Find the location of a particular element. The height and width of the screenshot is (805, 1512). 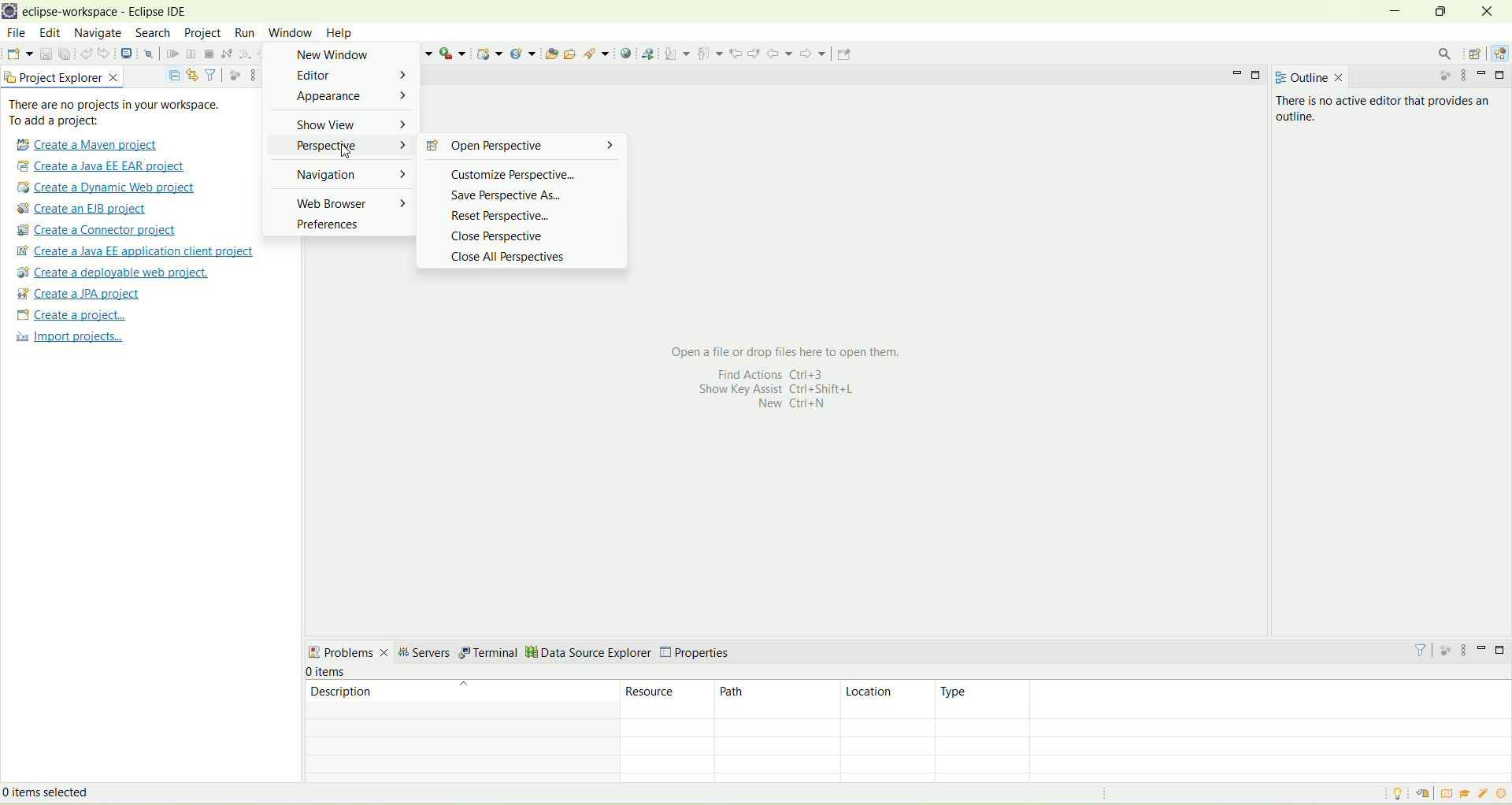

properties is located at coordinates (699, 649).